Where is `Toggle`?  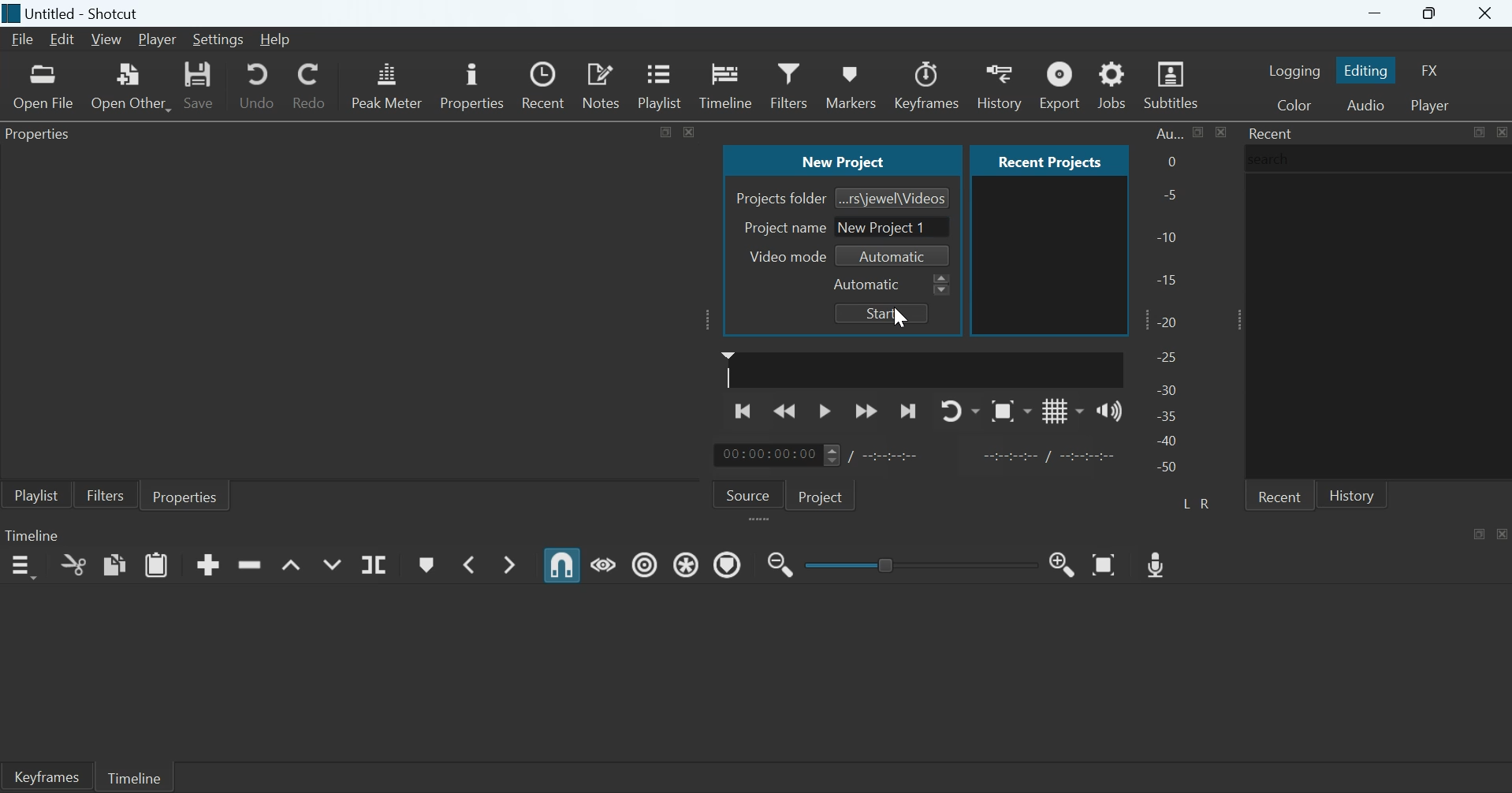 Toggle is located at coordinates (888, 563).